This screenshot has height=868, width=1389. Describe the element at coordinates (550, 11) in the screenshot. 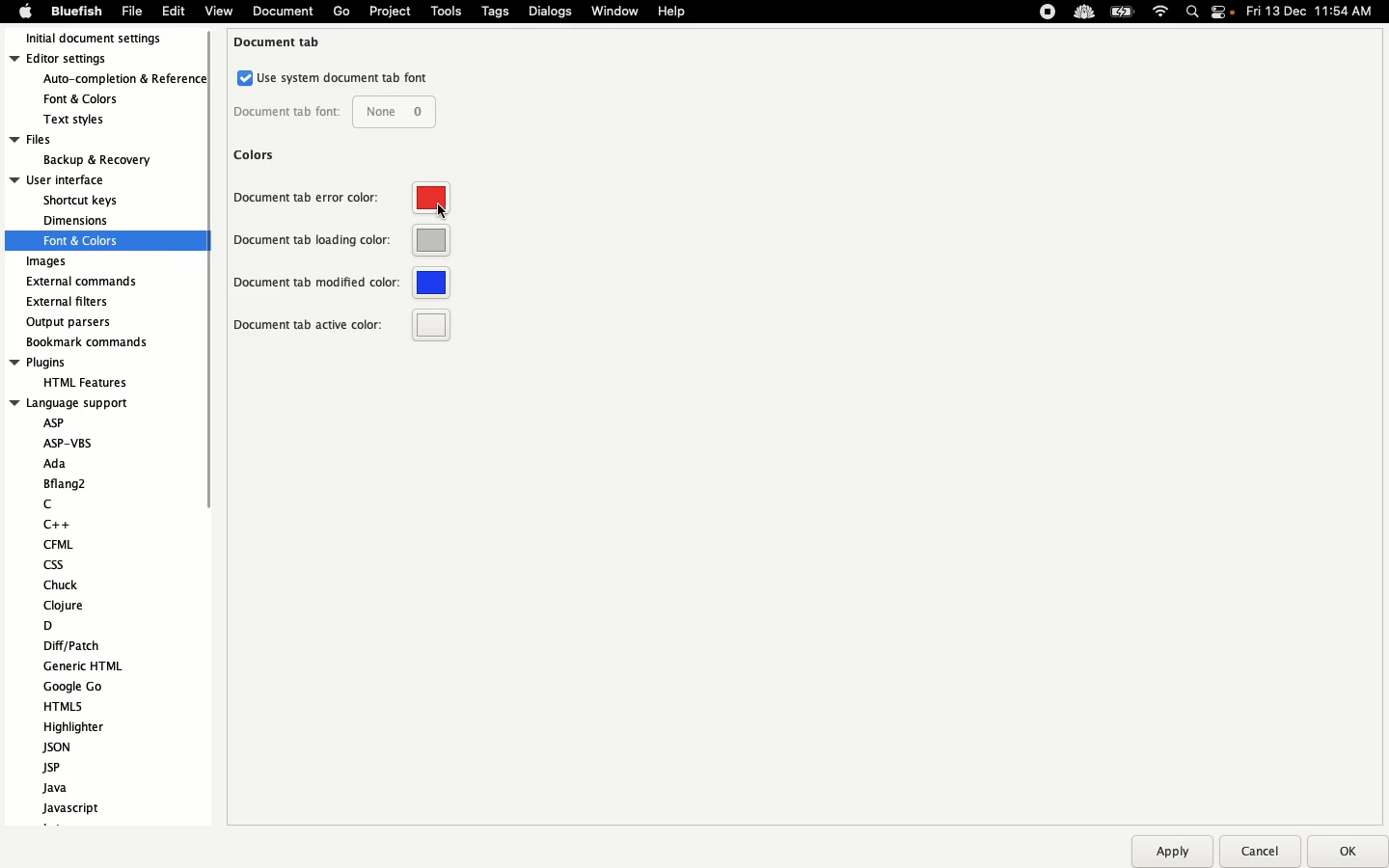

I see `Dialogs` at that location.